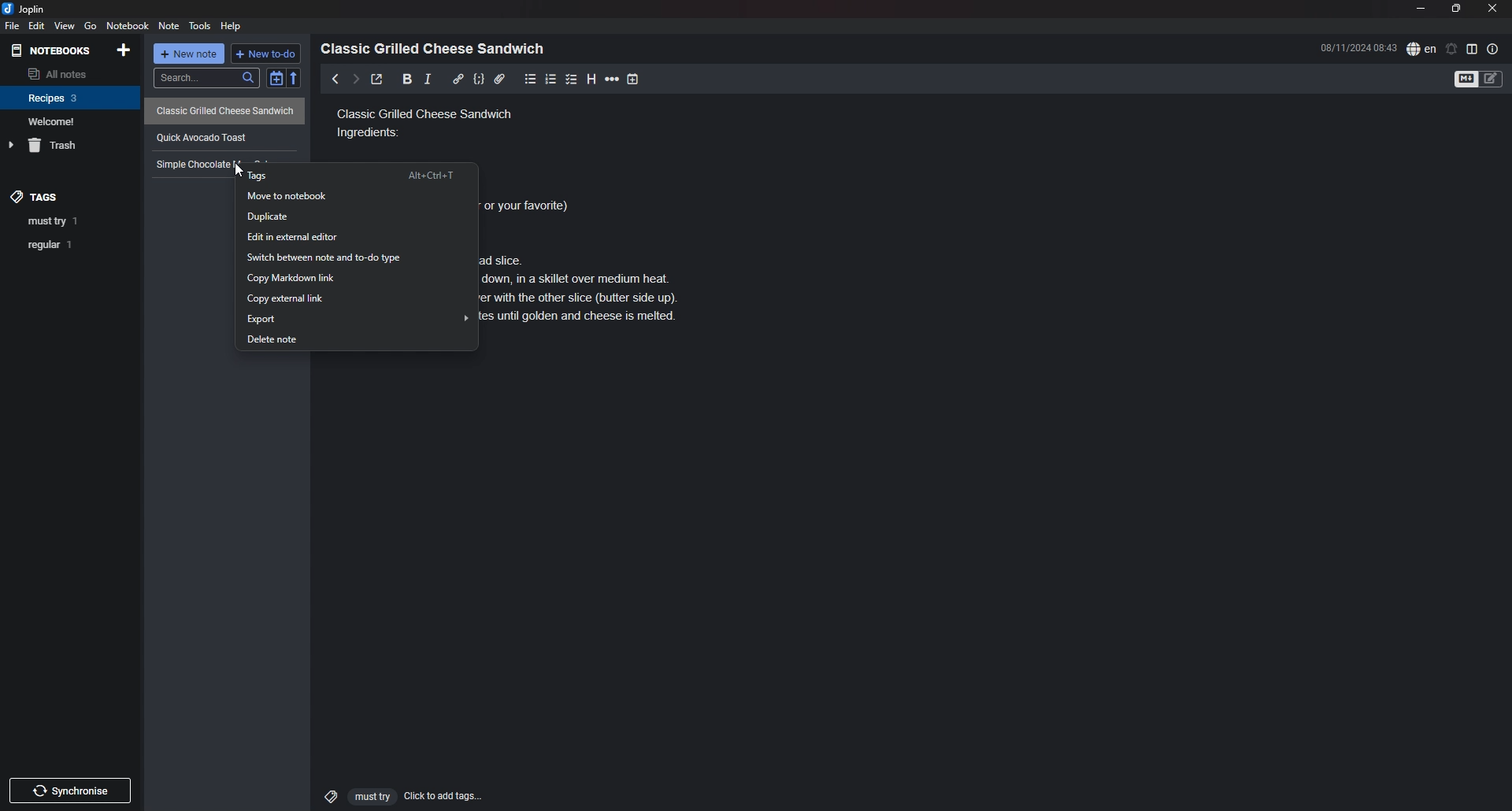 This screenshot has width=1512, height=811. I want to click on move to notebook, so click(357, 195).